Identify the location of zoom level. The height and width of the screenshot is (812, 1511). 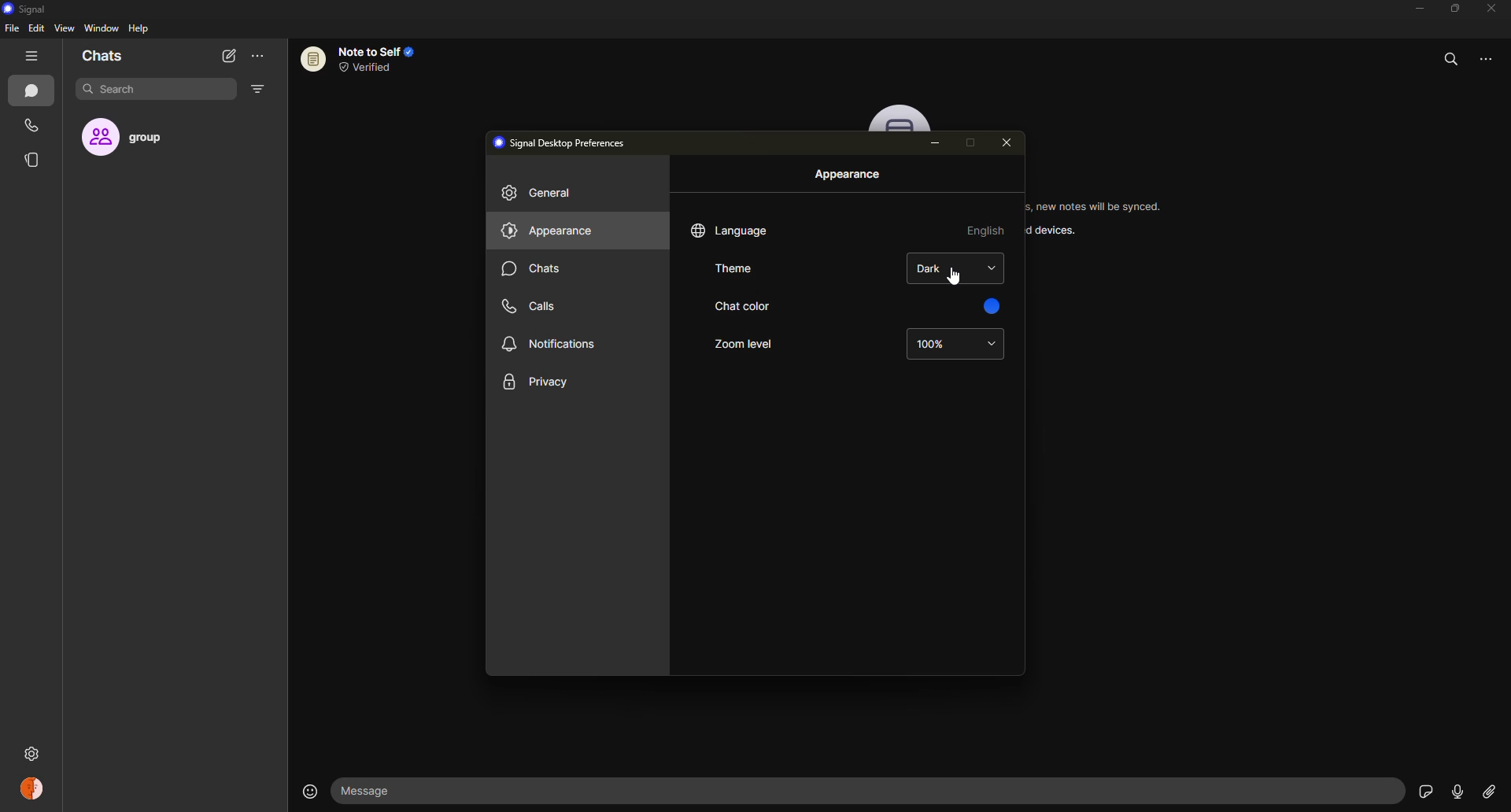
(742, 343).